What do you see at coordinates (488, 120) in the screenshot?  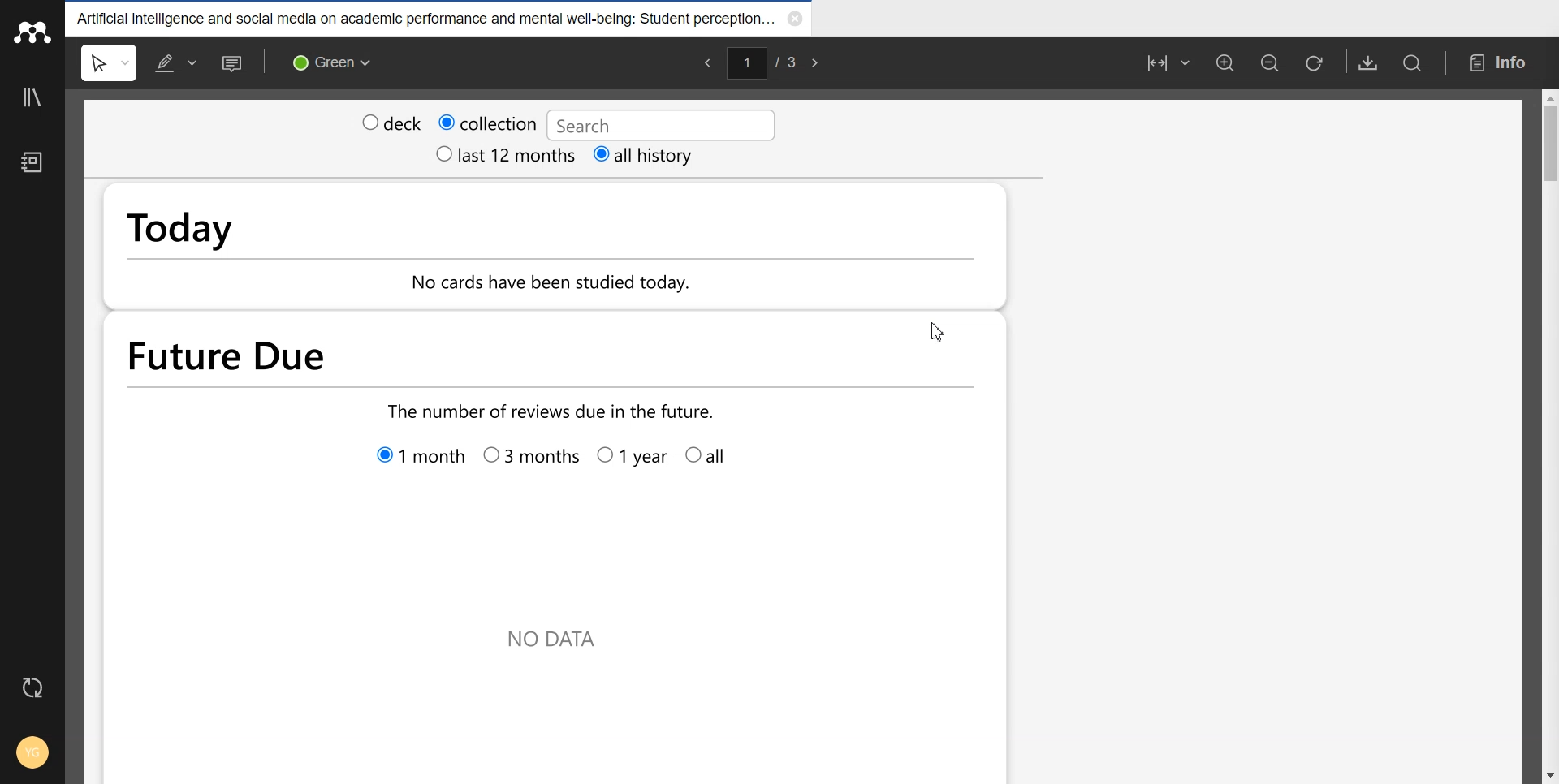 I see `collection` at bounding box center [488, 120].